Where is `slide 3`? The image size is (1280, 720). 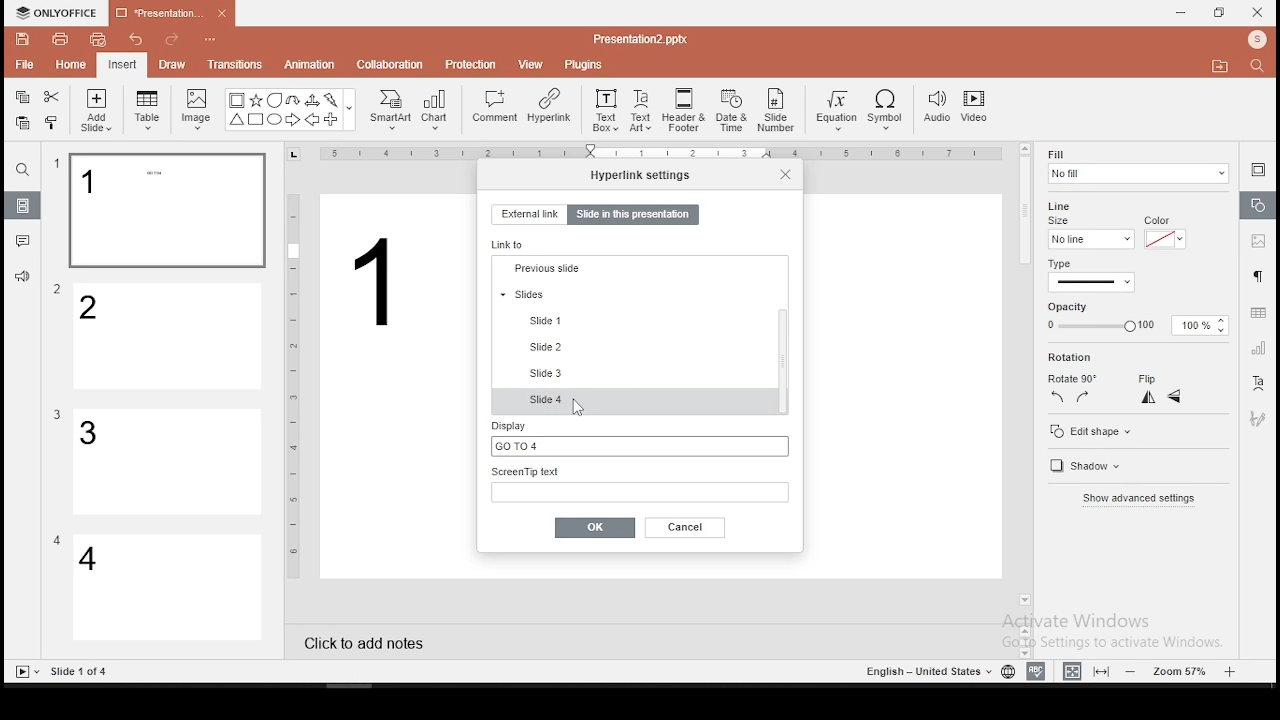
slide 3 is located at coordinates (165, 462).